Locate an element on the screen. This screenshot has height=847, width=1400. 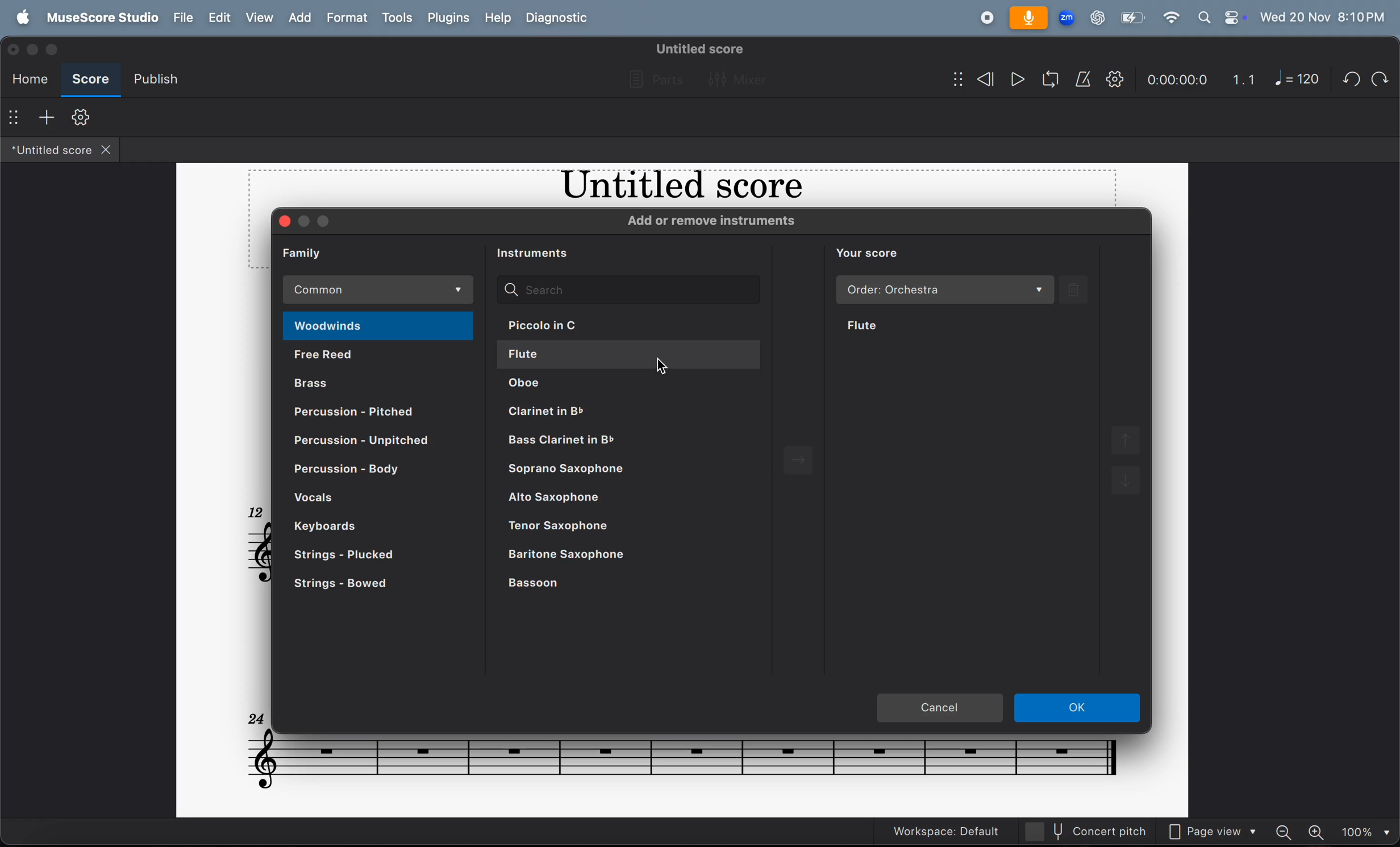
rewind is located at coordinates (983, 78).